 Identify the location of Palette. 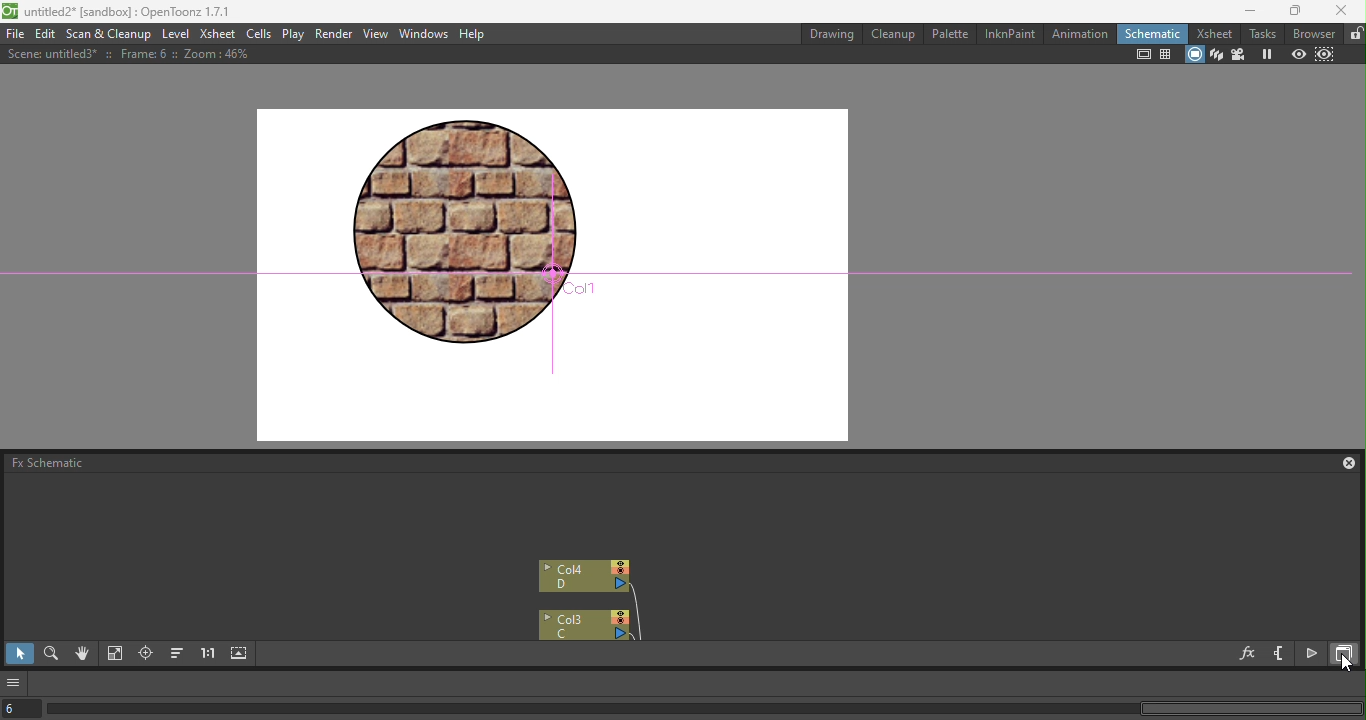
(951, 33).